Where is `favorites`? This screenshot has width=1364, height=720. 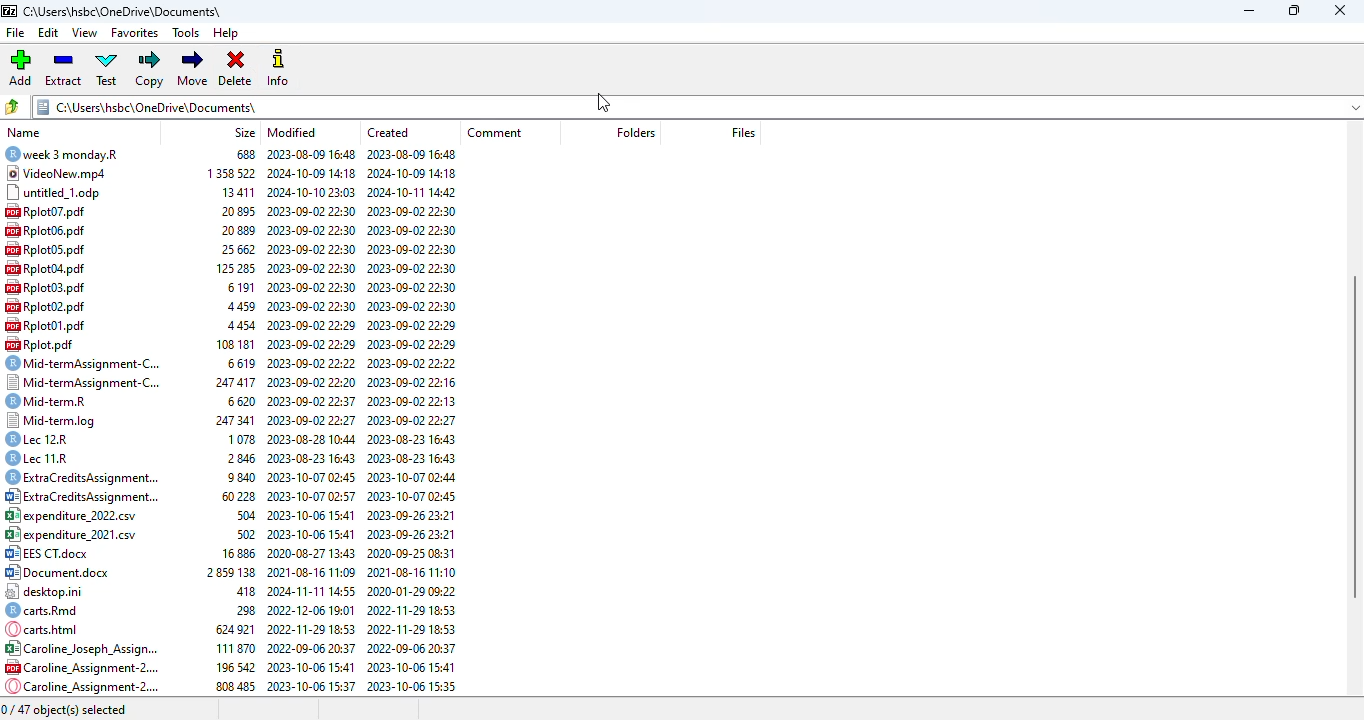 favorites is located at coordinates (135, 33).